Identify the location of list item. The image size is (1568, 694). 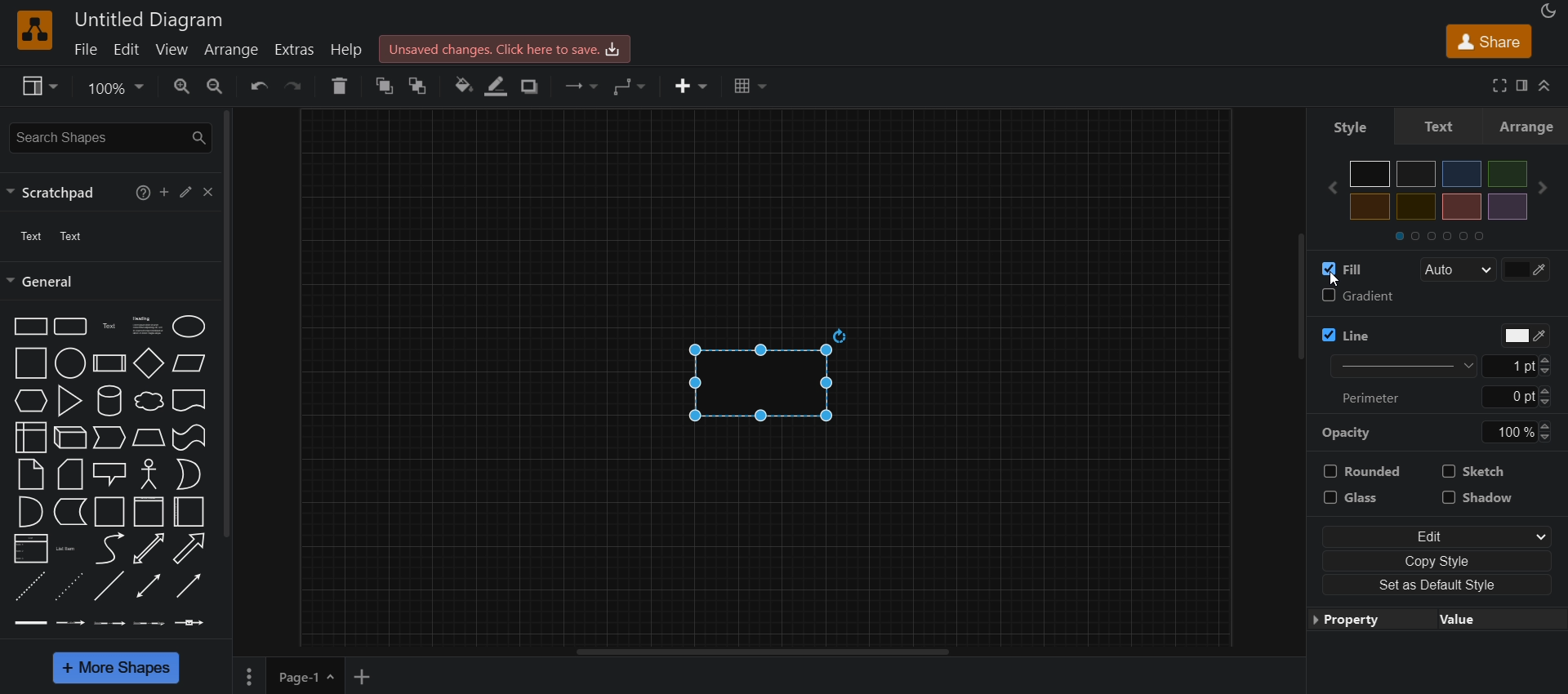
(68, 551).